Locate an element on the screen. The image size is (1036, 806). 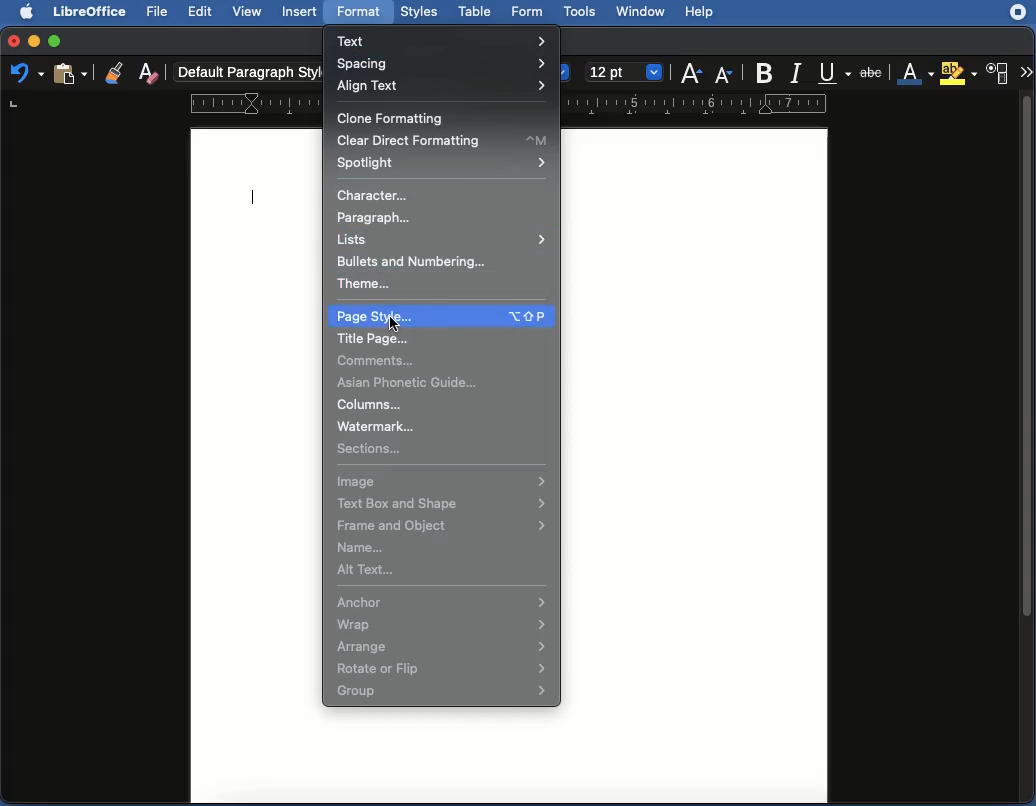
Form is located at coordinates (530, 11).